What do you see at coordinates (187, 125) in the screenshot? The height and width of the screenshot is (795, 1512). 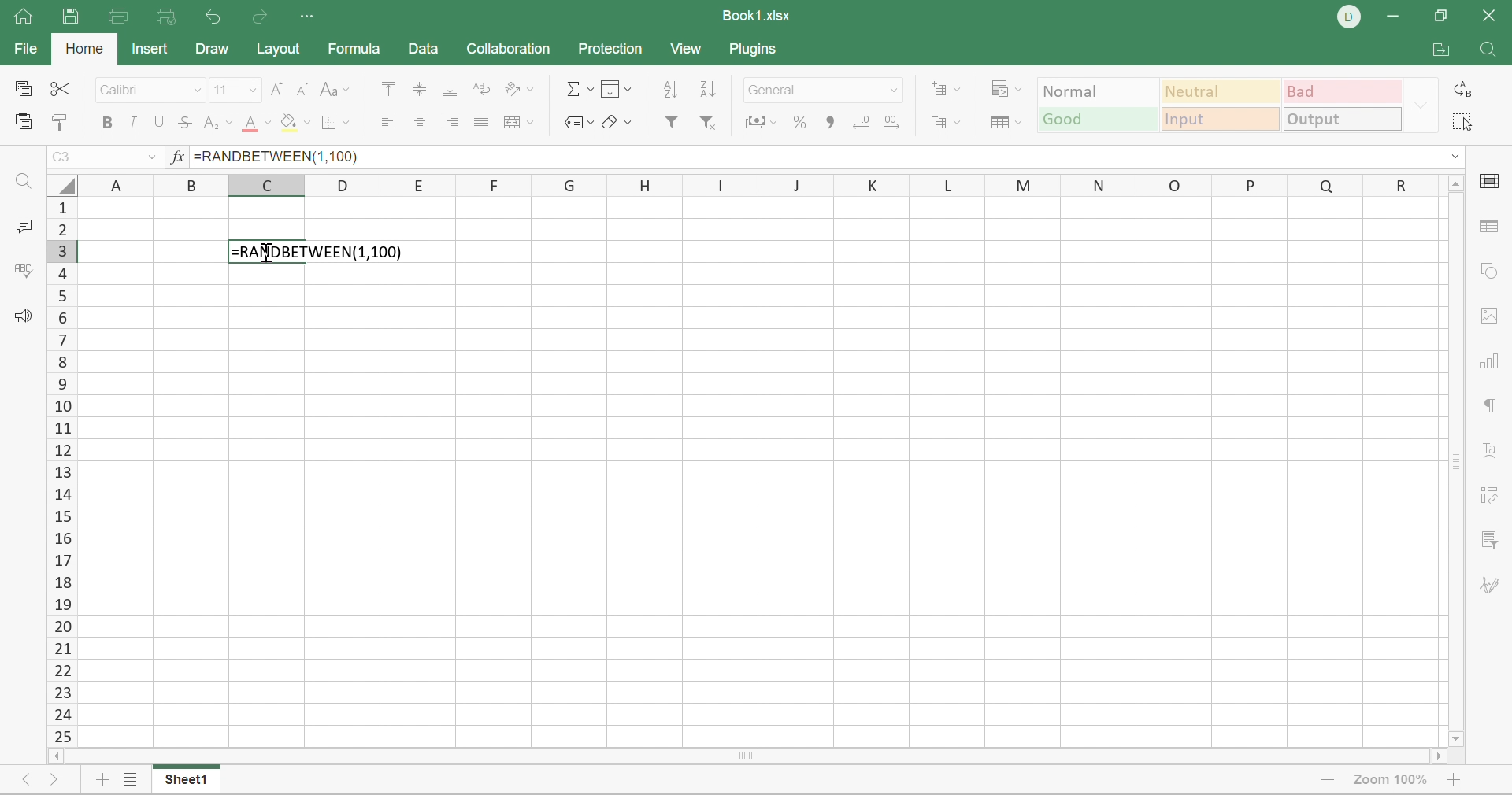 I see `Strikethrough` at bounding box center [187, 125].